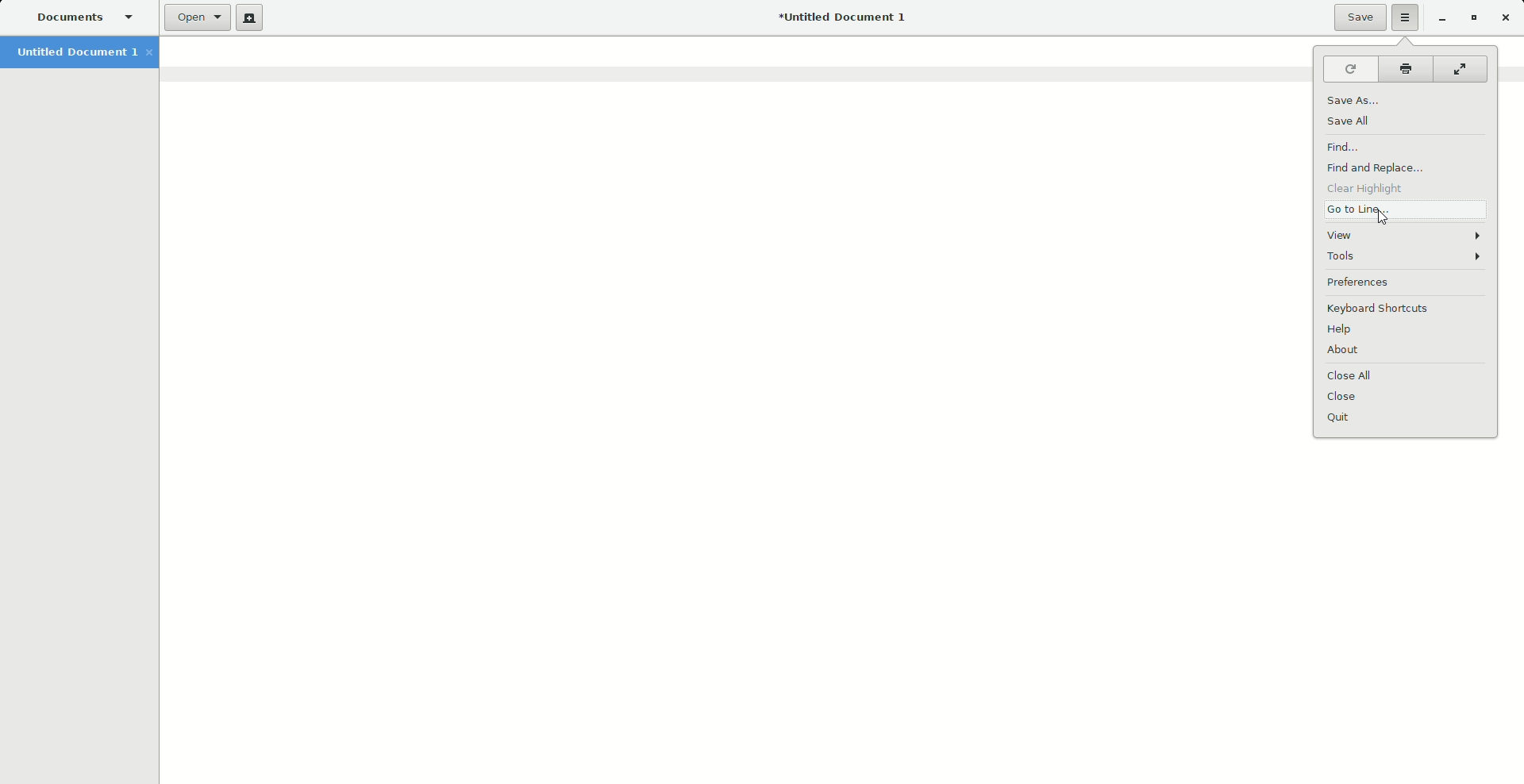  Describe the element at coordinates (87, 18) in the screenshot. I see `Documents` at that location.